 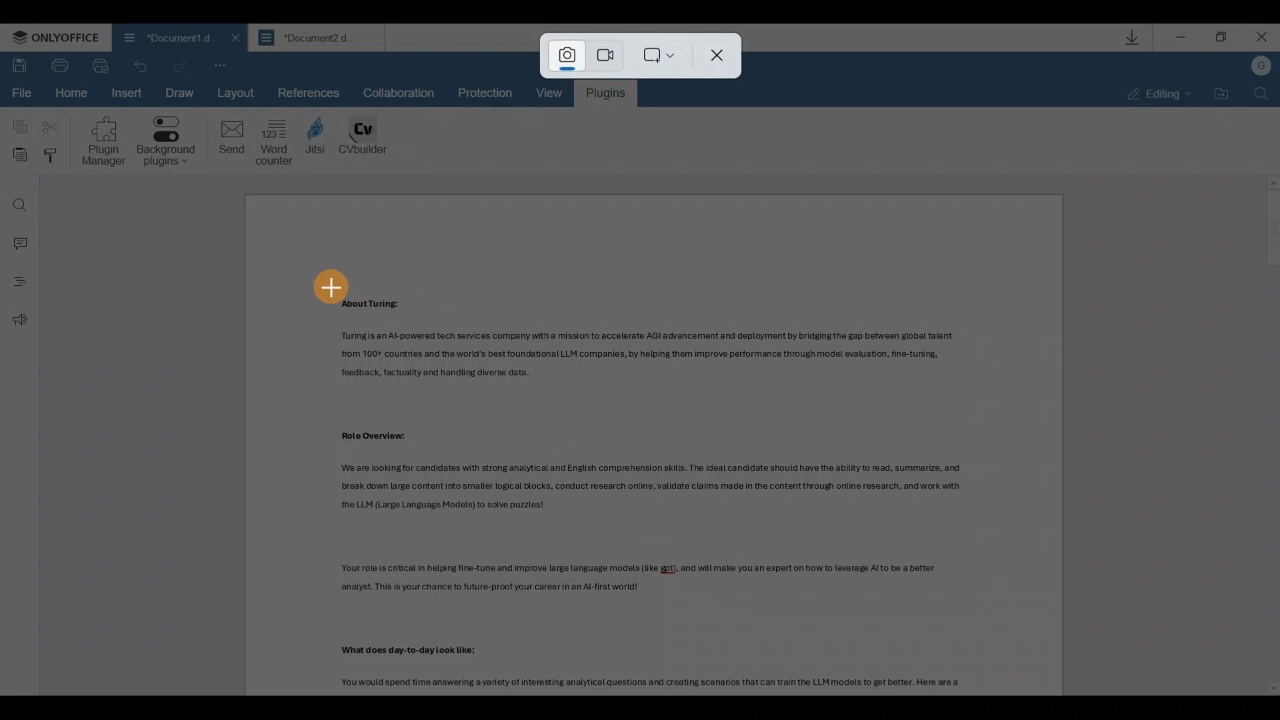 I want to click on Home, so click(x=74, y=94).